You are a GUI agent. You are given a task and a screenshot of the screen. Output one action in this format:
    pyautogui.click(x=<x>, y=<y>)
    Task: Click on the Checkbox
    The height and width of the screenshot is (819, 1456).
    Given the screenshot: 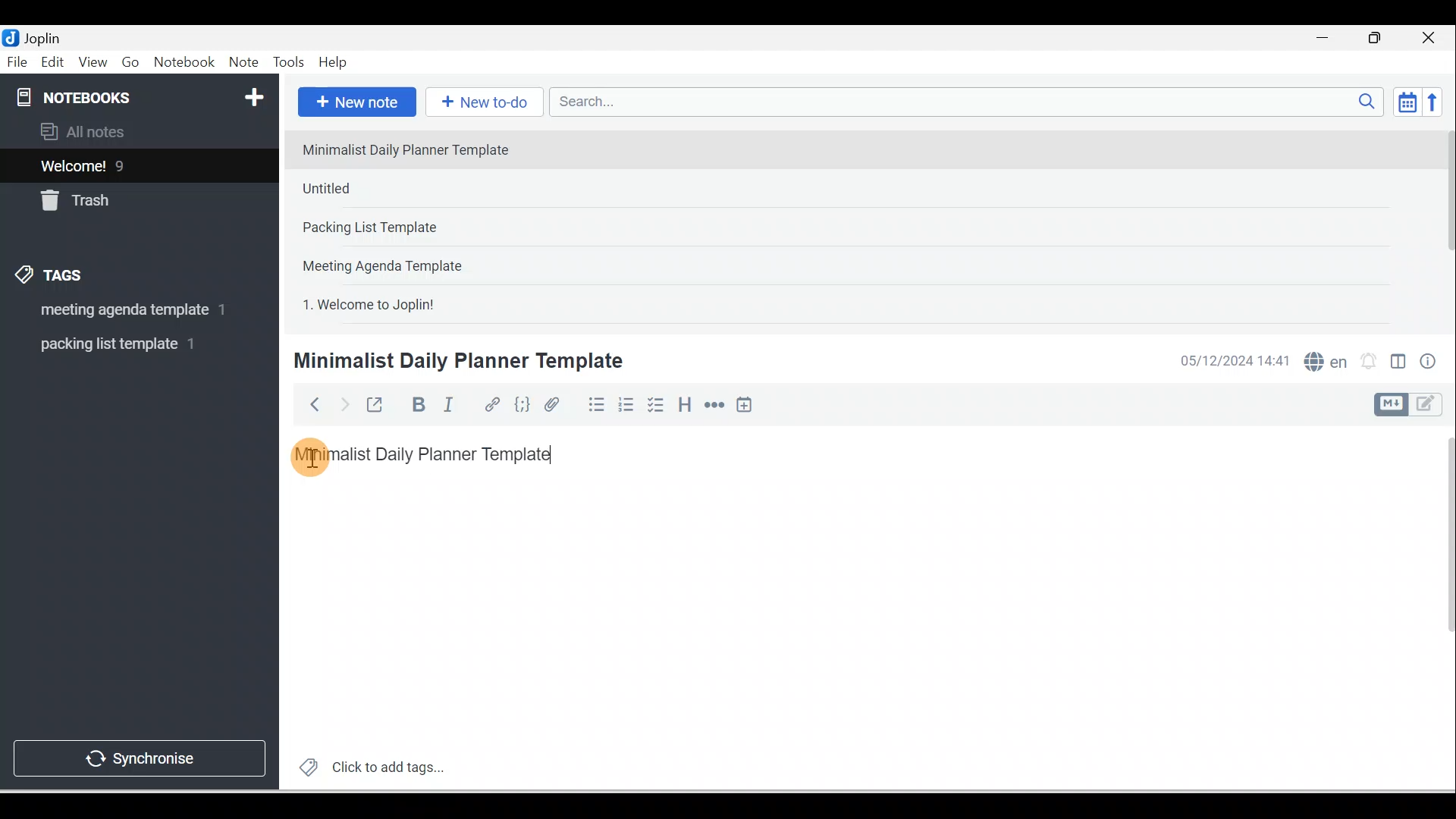 What is the action you would take?
    pyautogui.click(x=654, y=405)
    